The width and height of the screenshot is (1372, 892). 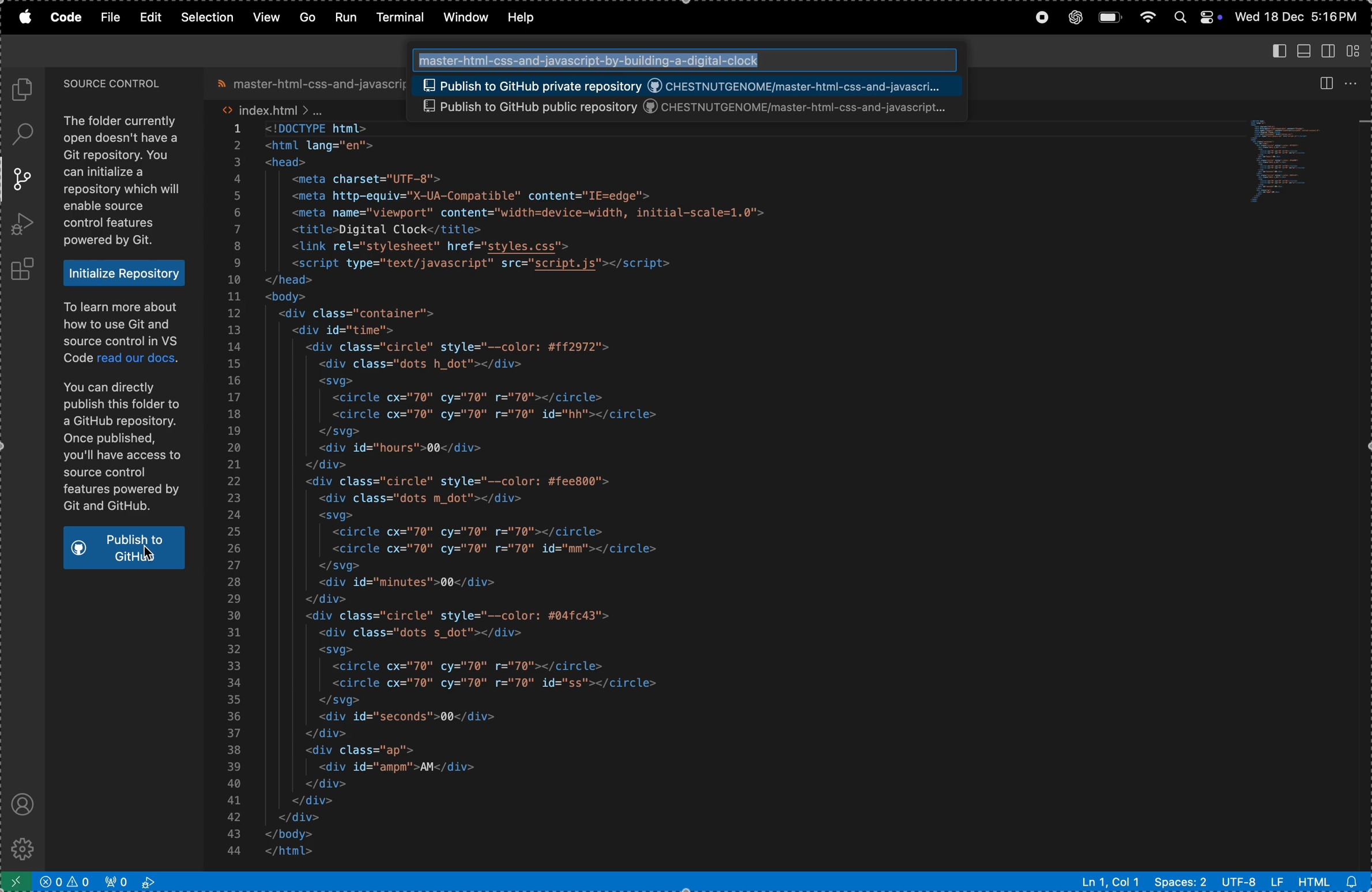 I want to click on primary side abar, so click(x=1272, y=50).